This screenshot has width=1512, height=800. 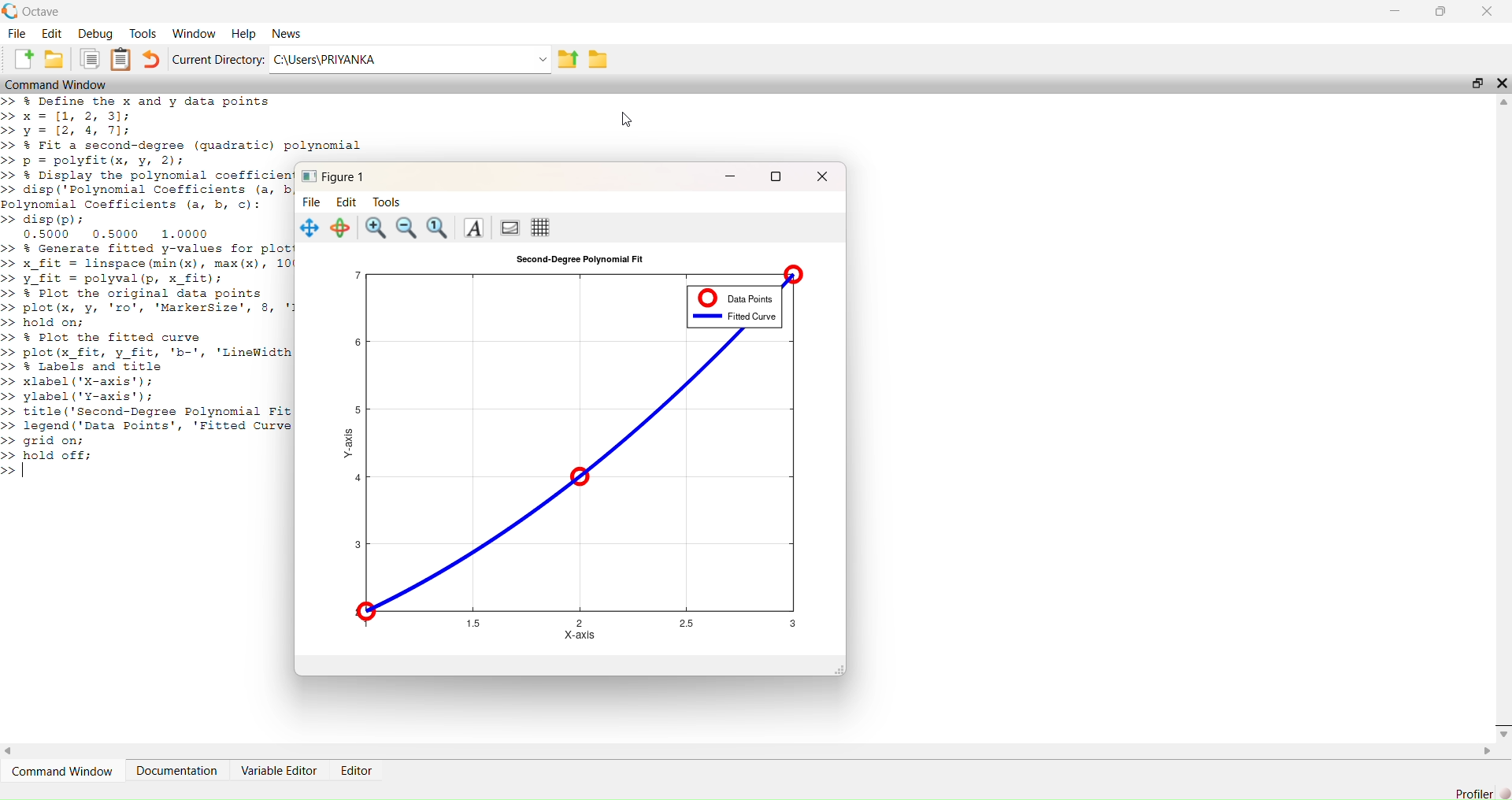 What do you see at coordinates (35, 12) in the screenshot?
I see `Octave` at bounding box center [35, 12].